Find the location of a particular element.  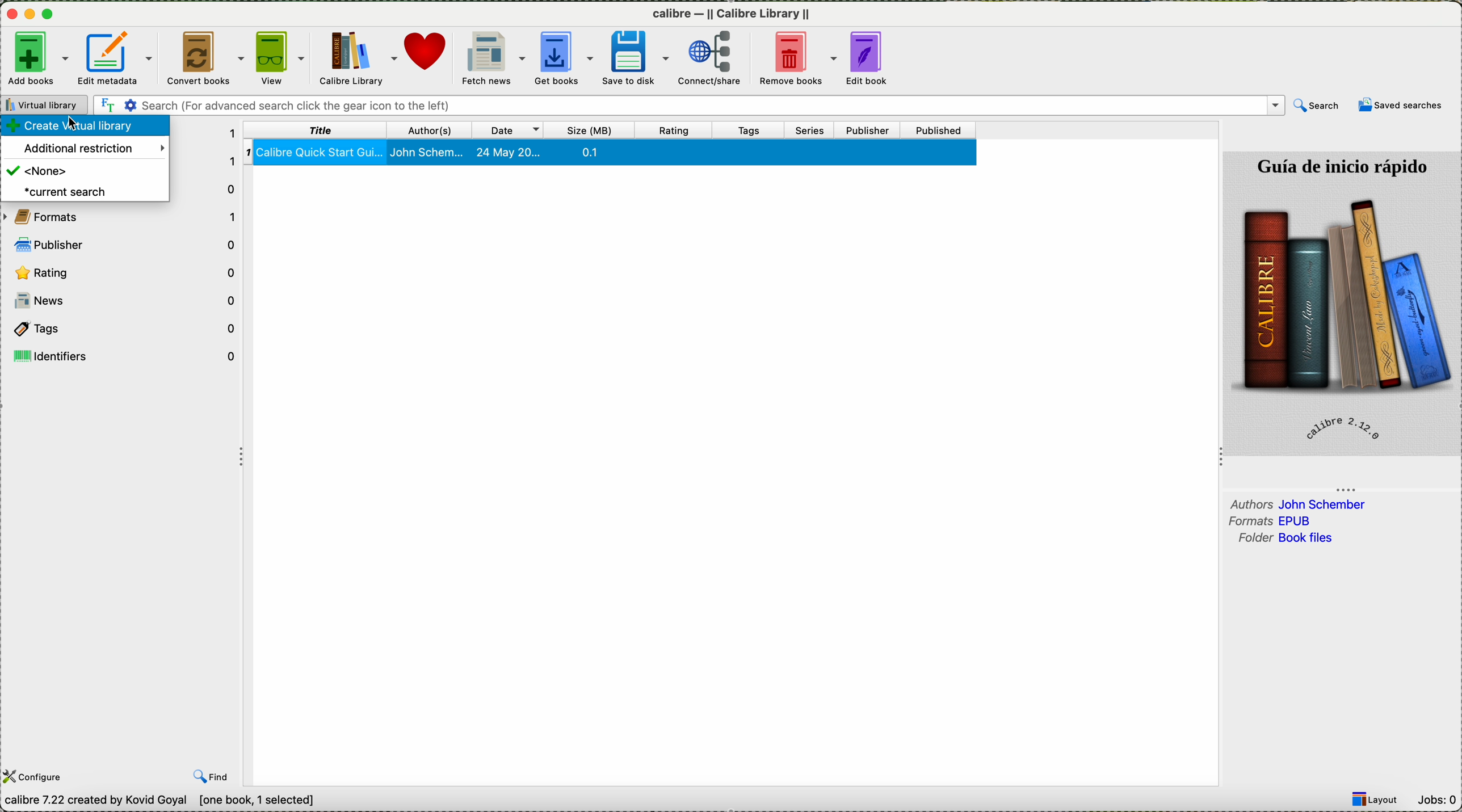

title is located at coordinates (314, 131).